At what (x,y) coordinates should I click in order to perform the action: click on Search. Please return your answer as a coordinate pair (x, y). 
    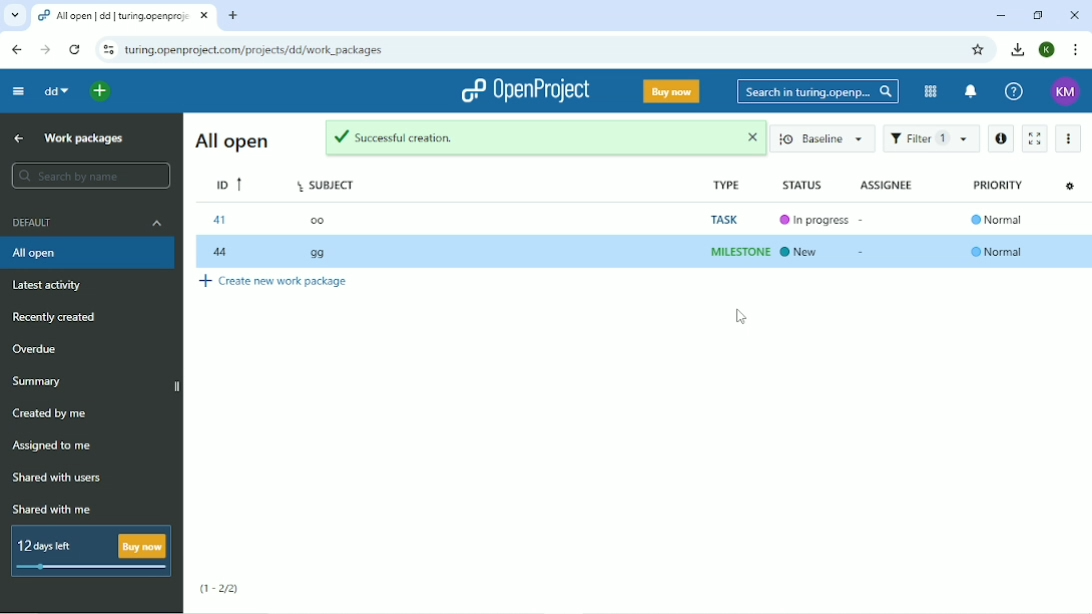
    Looking at the image, I should click on (818, 91).